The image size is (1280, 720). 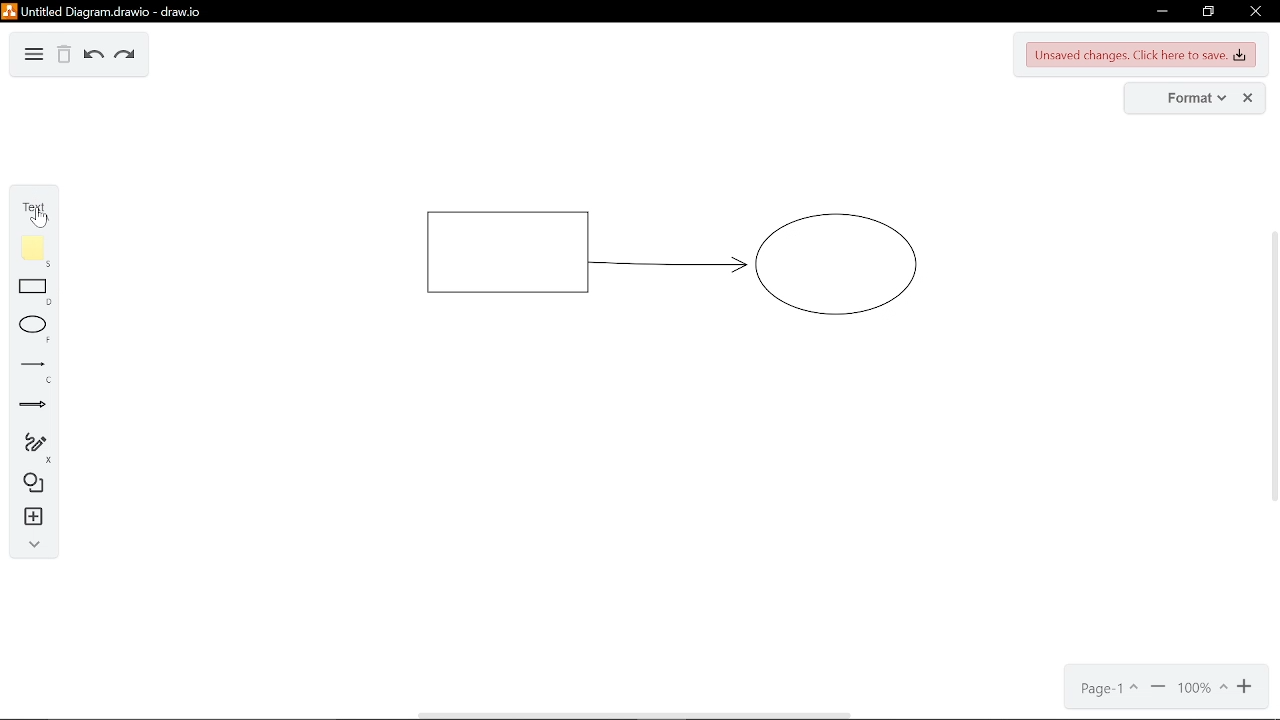 What do you see at coordinates (33, 57) in the screenshot?
I see `diagram` at bounding box center [33, 57].